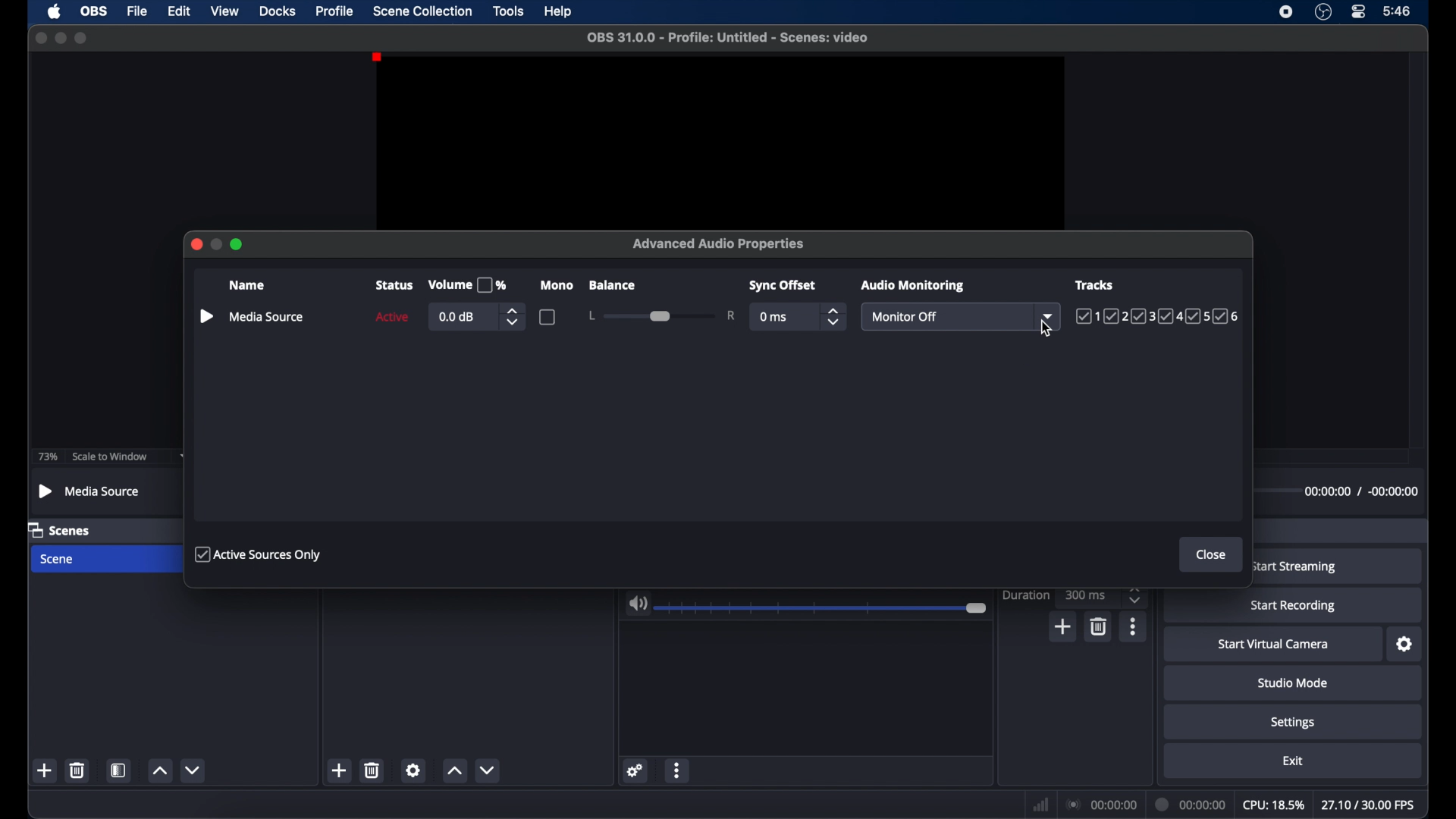 The image size is (1456, 819). Describe the element at coordinates (119, 770) in the screenshot. I see `scene filters` at that location.